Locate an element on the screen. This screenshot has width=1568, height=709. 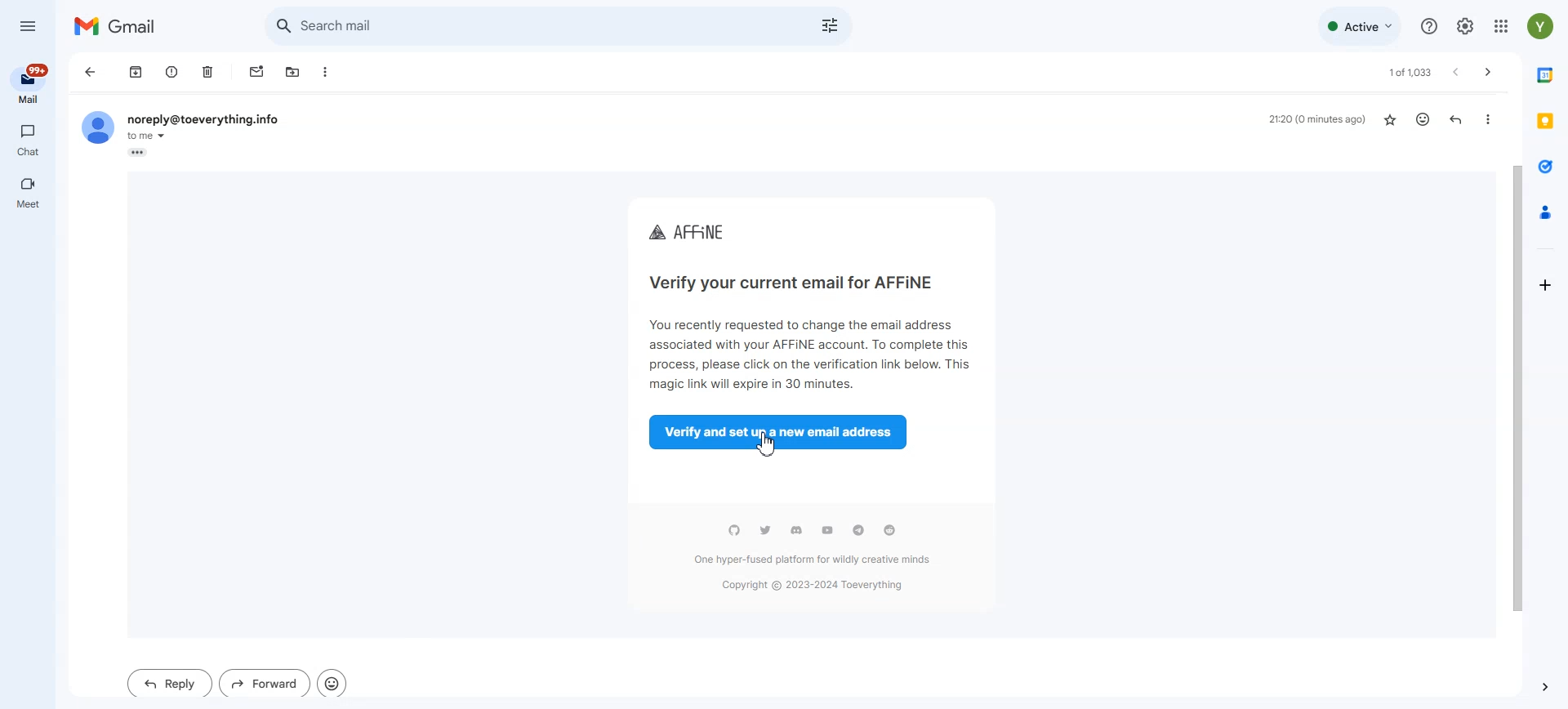
Tasks is located at coordinates (1545, 168).